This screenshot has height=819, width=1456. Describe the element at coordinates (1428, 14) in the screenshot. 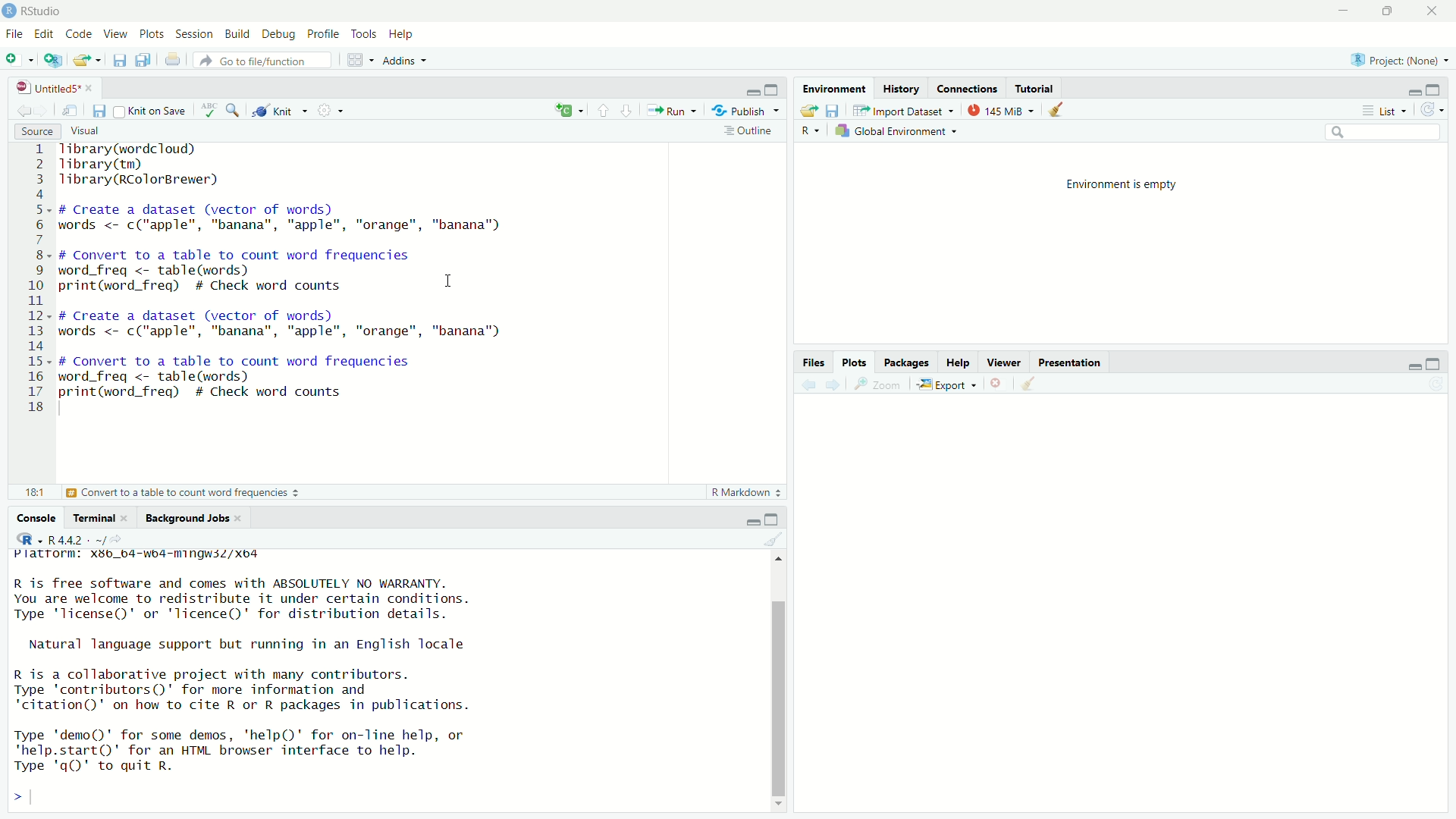

I see `Close` at that location.